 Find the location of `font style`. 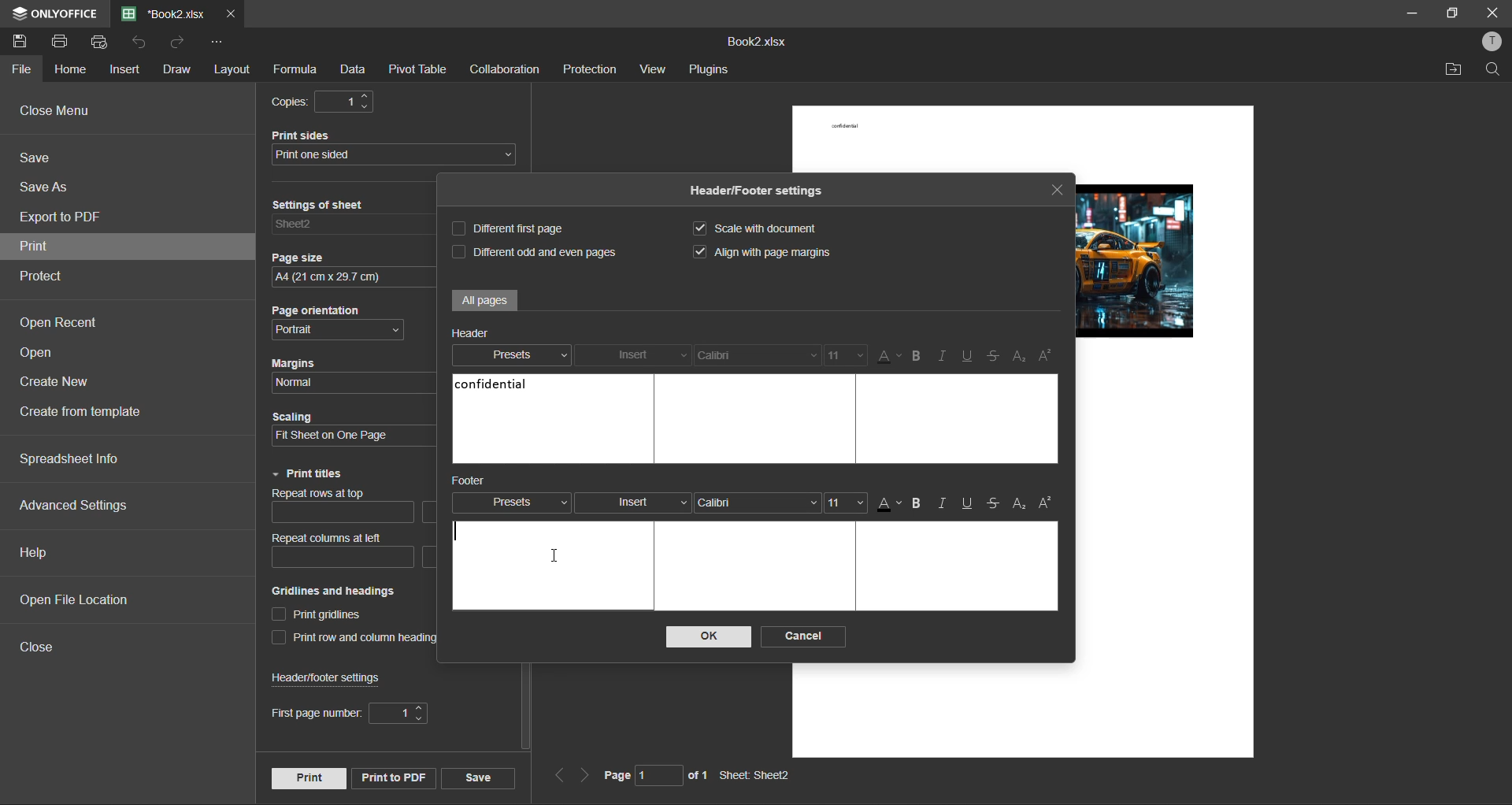

font style is located at coordinates (760, 354).